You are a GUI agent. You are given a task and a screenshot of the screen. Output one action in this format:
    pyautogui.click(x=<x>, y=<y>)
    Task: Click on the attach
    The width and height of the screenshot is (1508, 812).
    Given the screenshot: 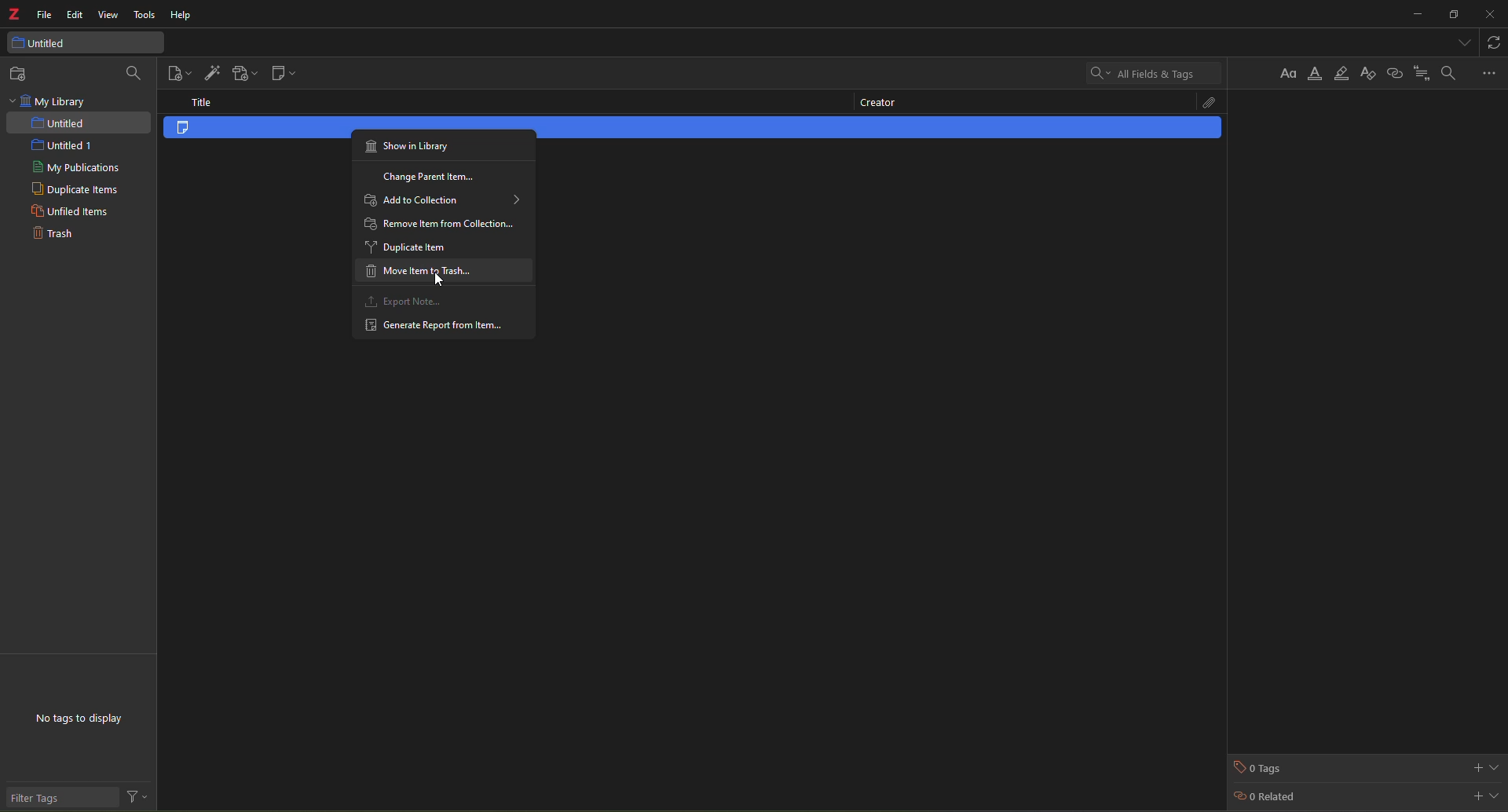 What is the action you would take?
    pyautogui.click(x=1199, y=101)
    